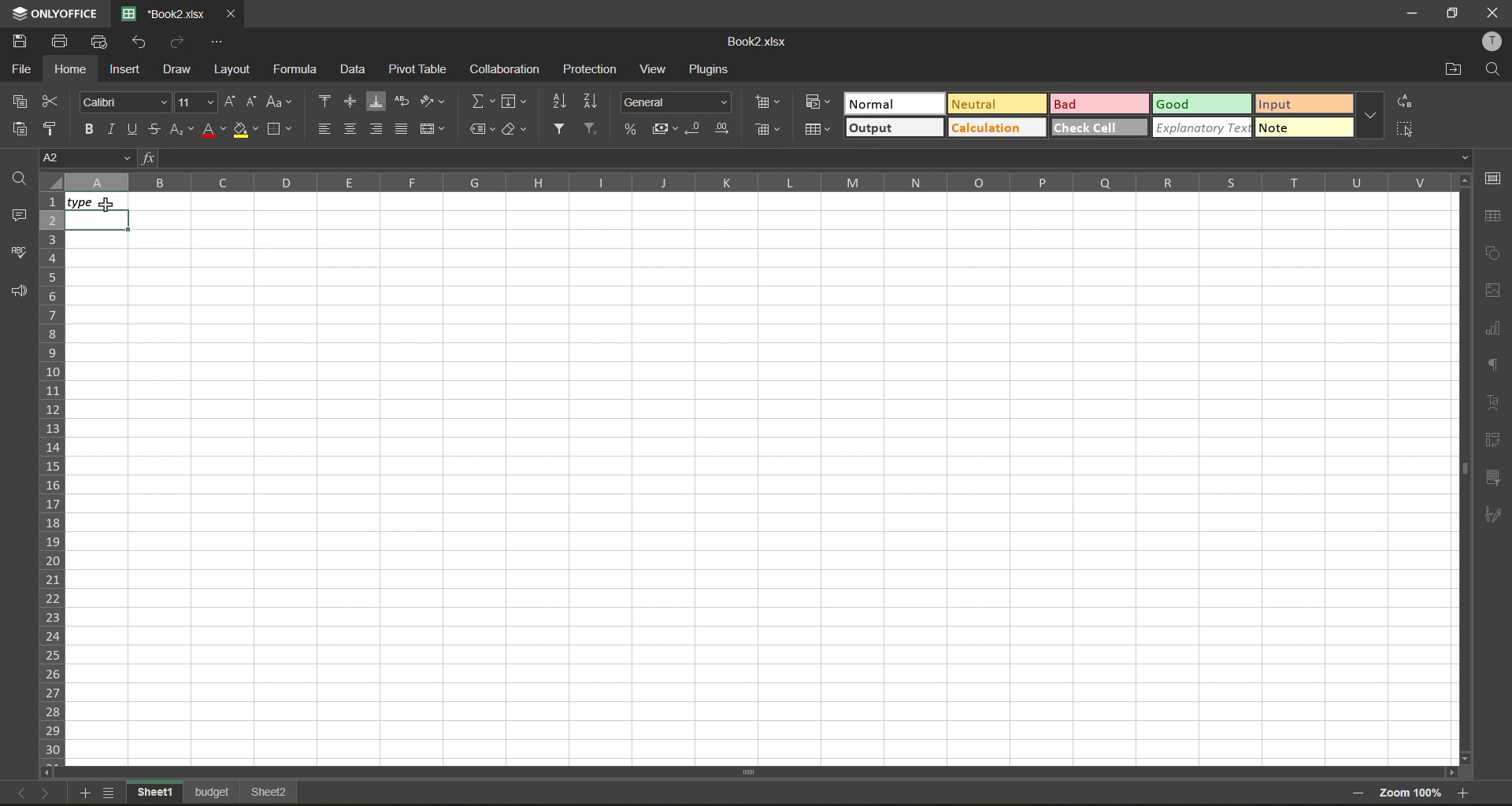  What do you see at coordinates (1450, 13) in the screenshot?
I see `maximize` at bounding box center [1450, 13].